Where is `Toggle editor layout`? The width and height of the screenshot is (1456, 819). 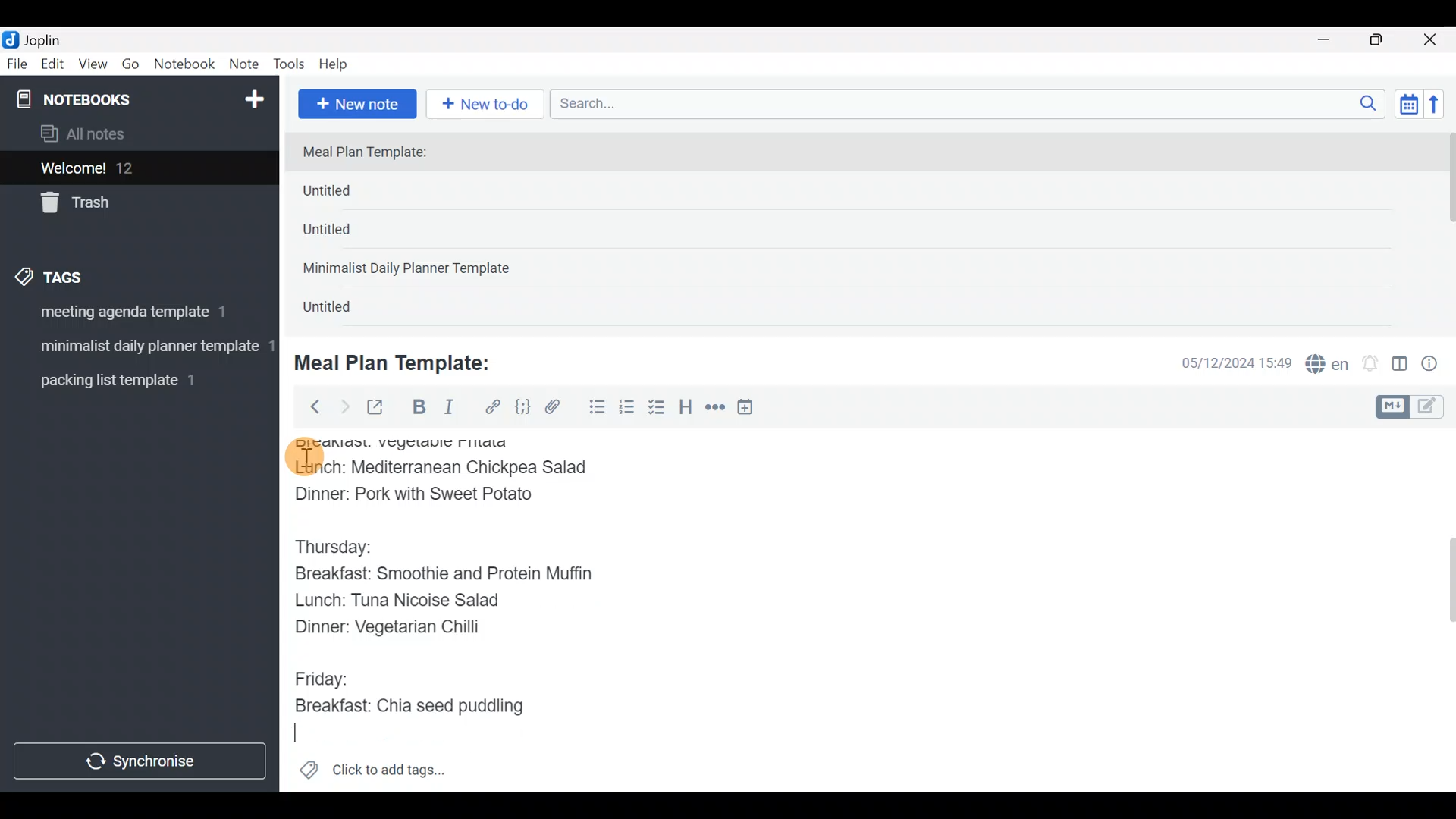 Toggle editor layout is located at coordinates (1401, 366).